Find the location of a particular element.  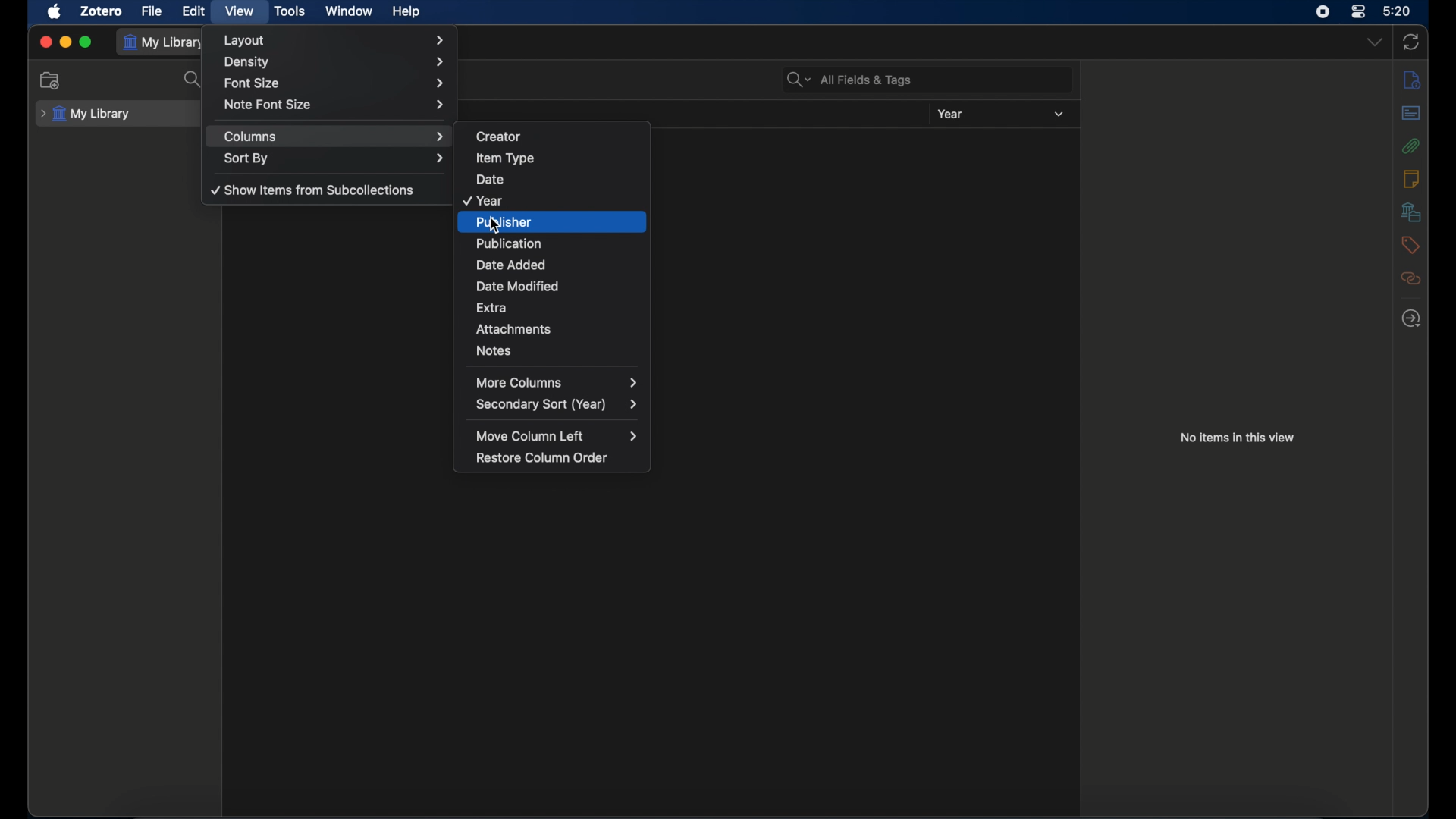

no items in this view is located at coordinates (1236, 437).